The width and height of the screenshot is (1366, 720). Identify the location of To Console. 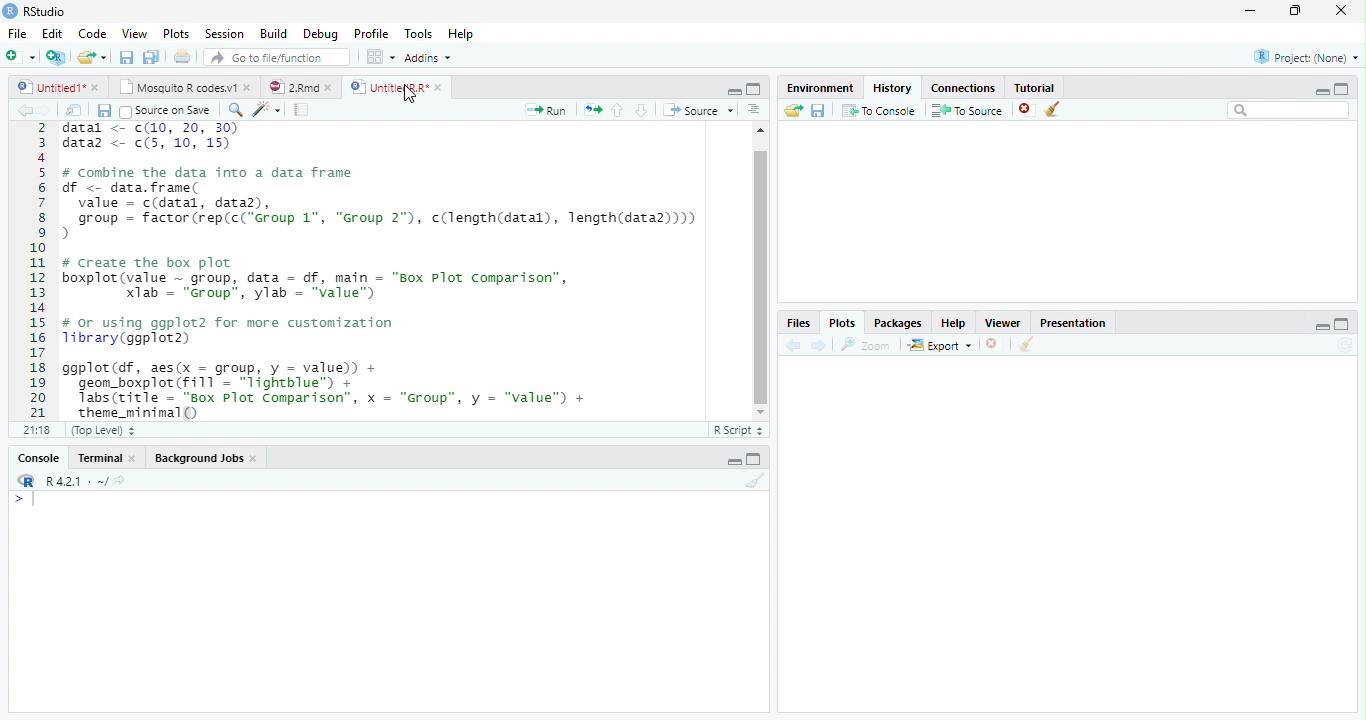
(880, 110).